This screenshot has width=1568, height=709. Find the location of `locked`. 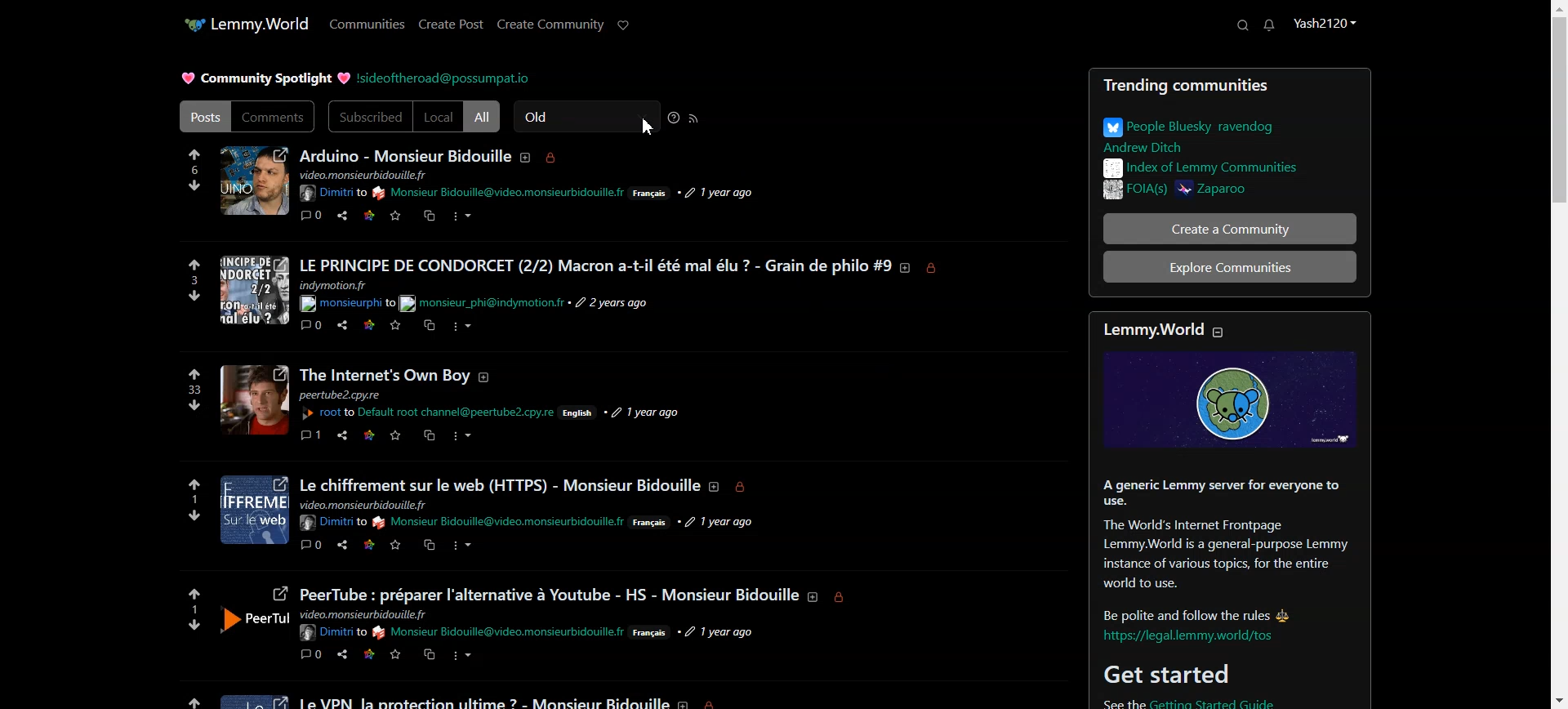

locked is located at coordinates (719, 703).